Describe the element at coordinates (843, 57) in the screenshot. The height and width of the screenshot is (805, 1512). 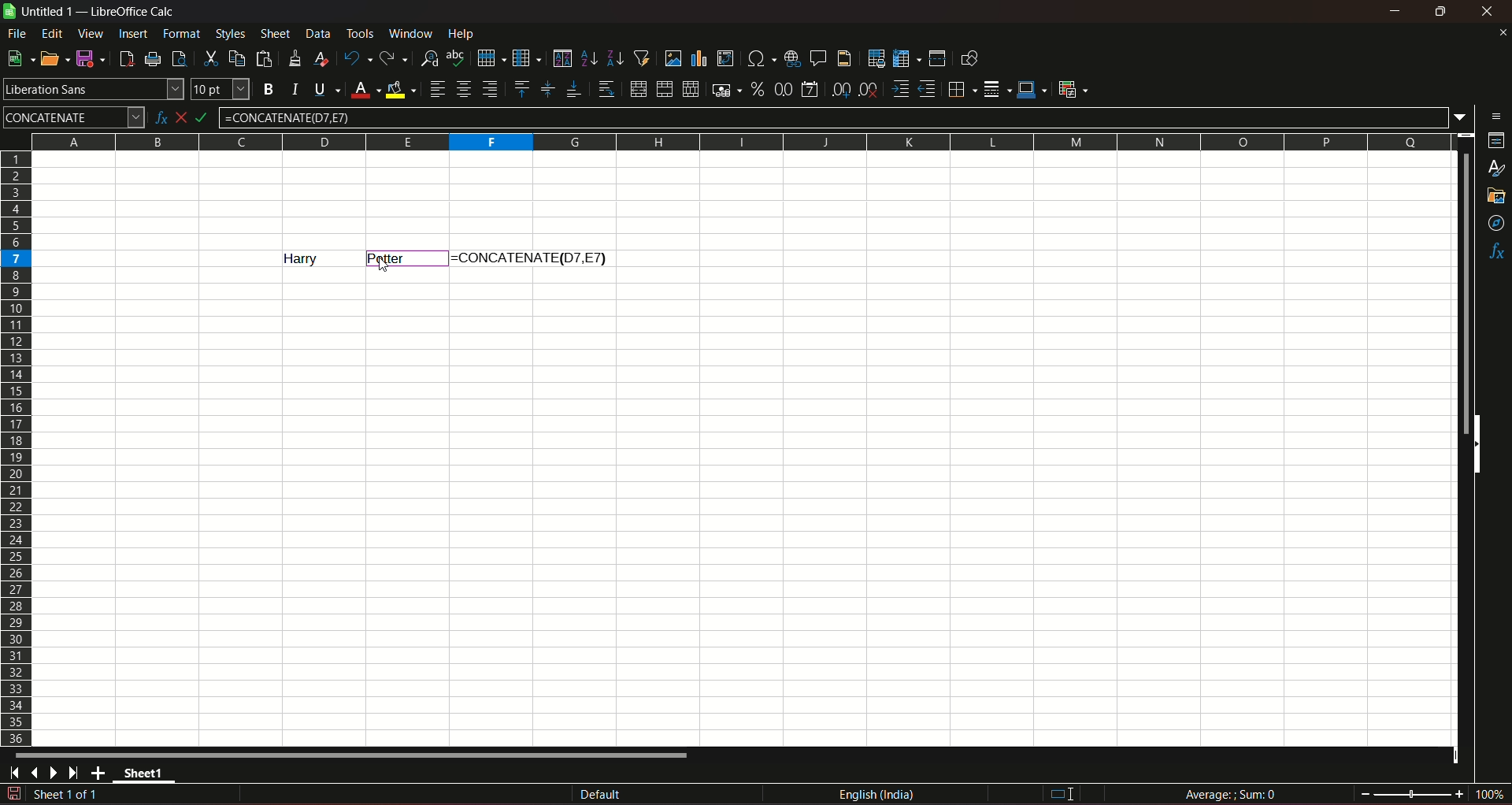
I see `headers & footers` at that location.